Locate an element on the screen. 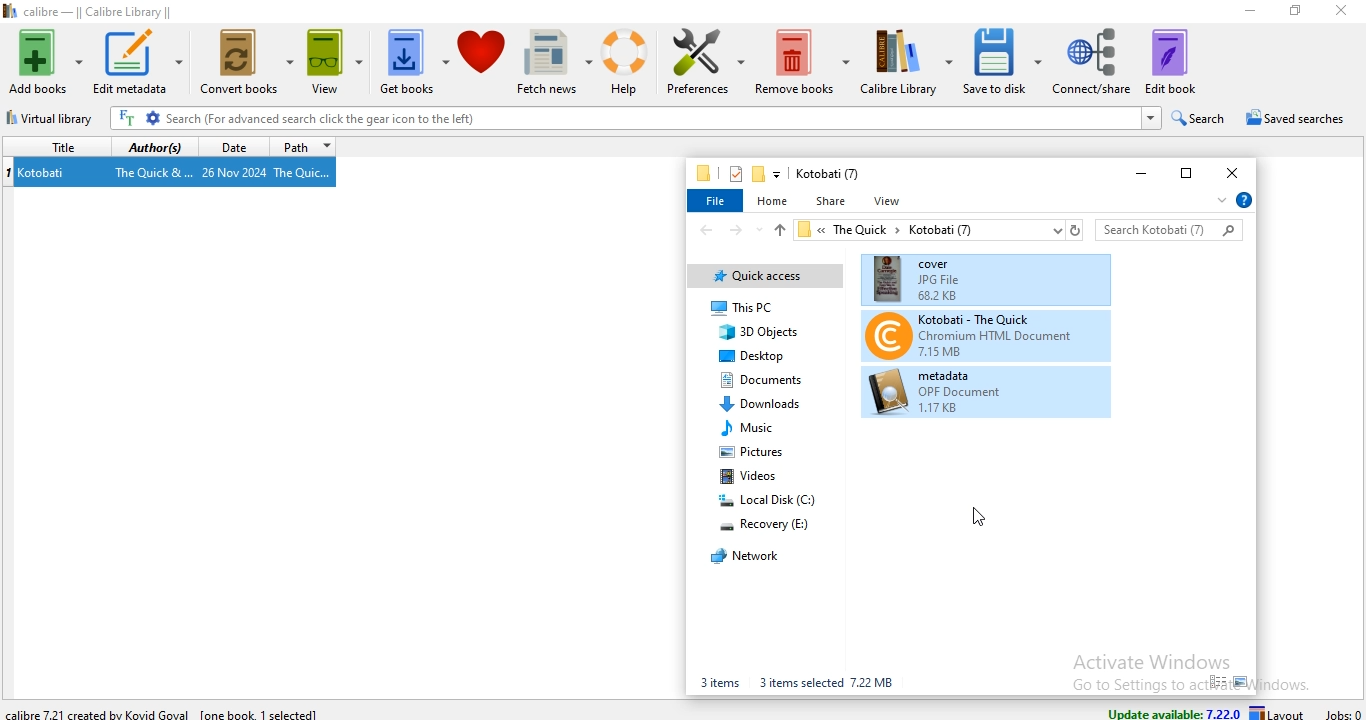  remove books is located at coordinates (802, 60).